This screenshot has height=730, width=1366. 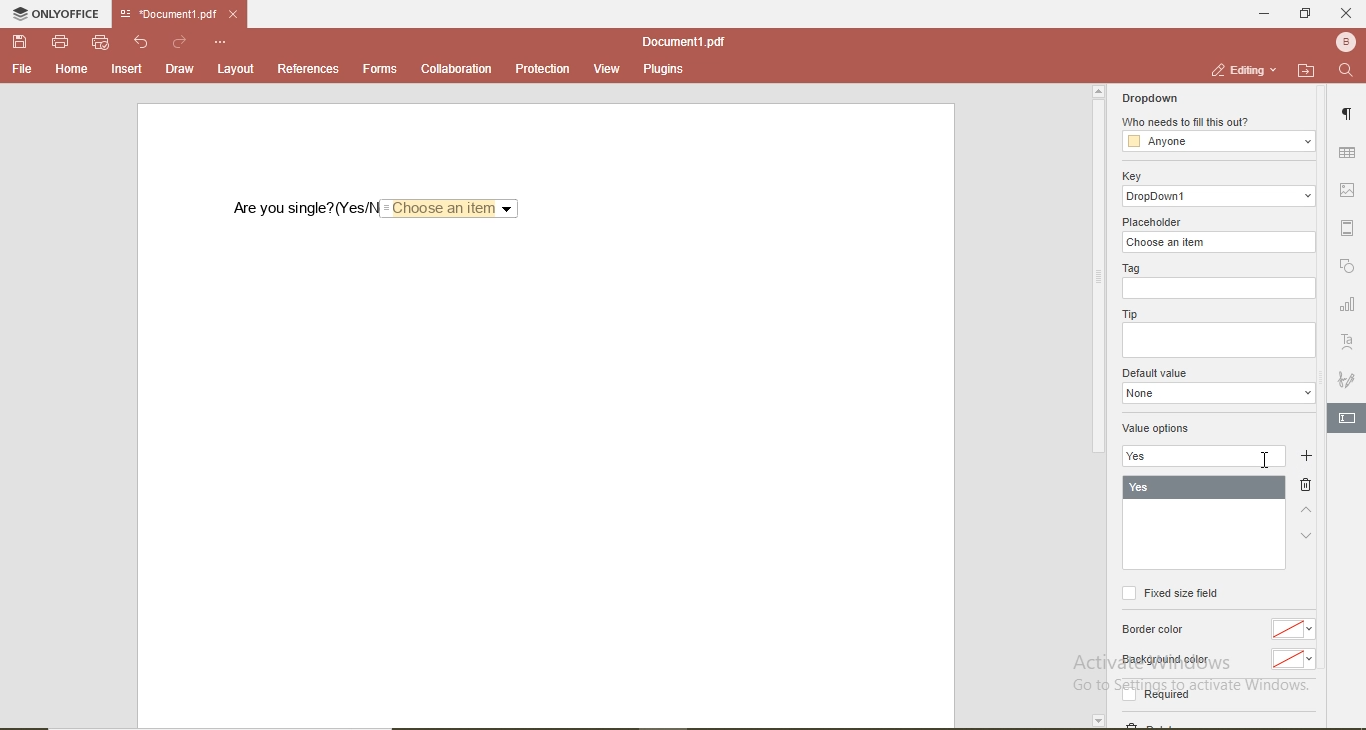 I want to click on dropdowm1, so click(x=1217, y=196).